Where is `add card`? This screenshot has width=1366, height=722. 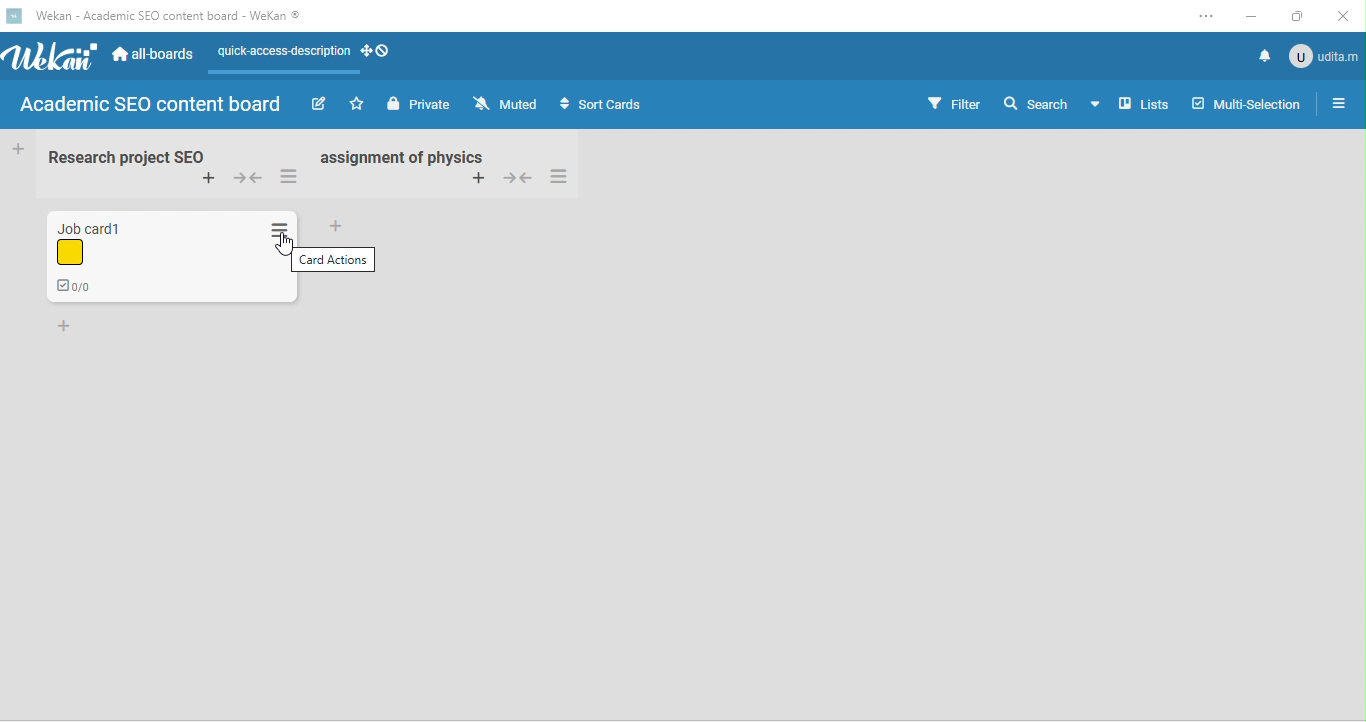 add card is located at coordinates (479, 183).